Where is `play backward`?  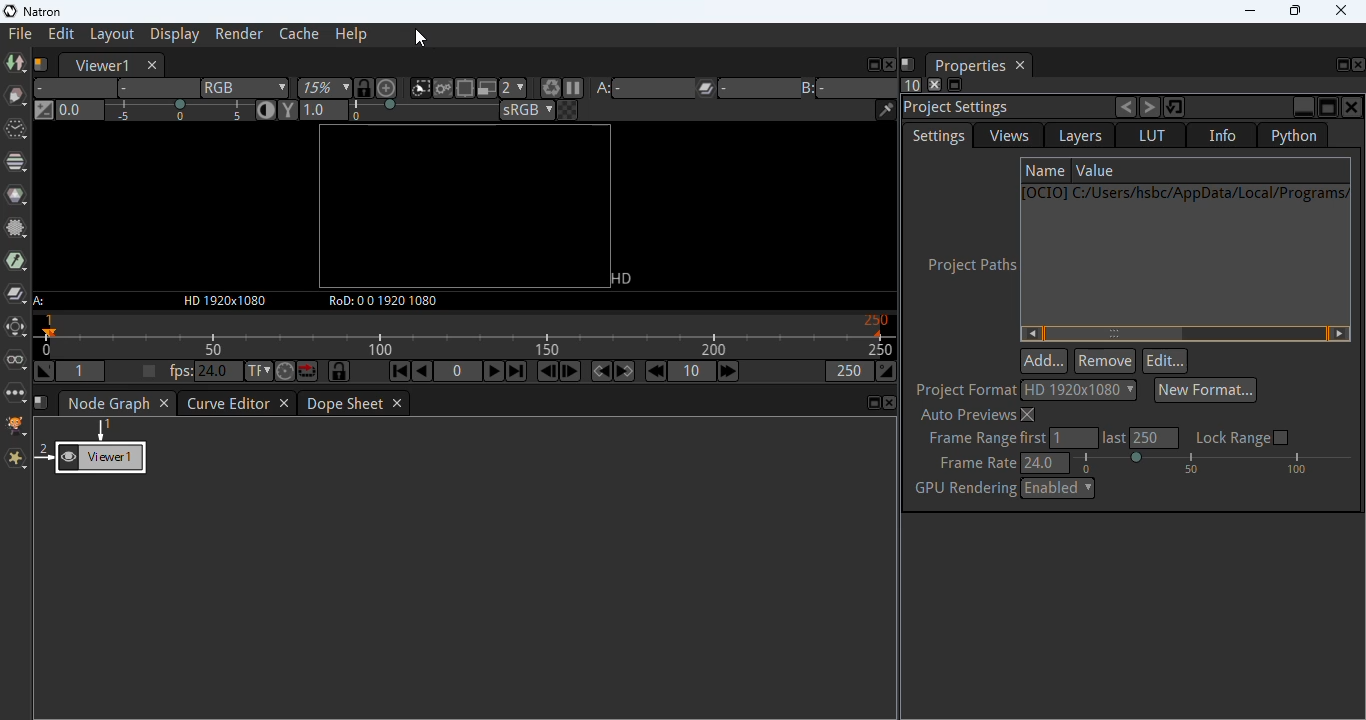
play backward is located at coordinates (423, 371).